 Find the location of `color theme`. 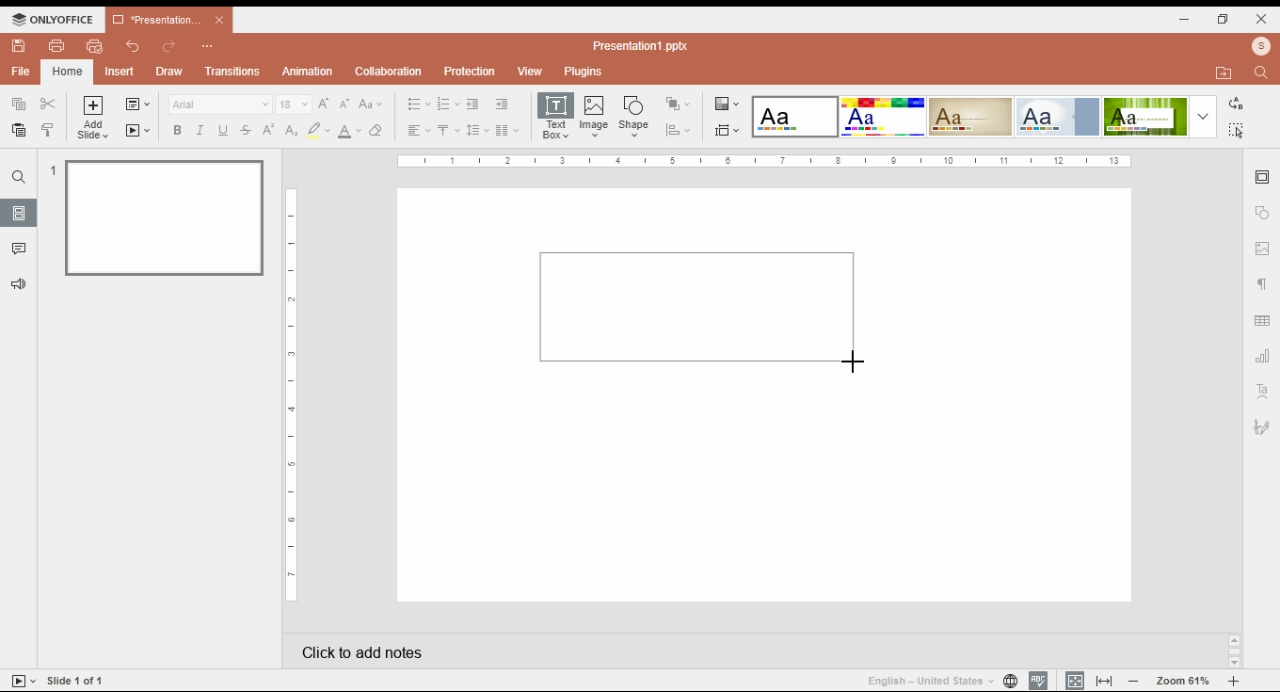

color theme is located at coordinates (883, 117).